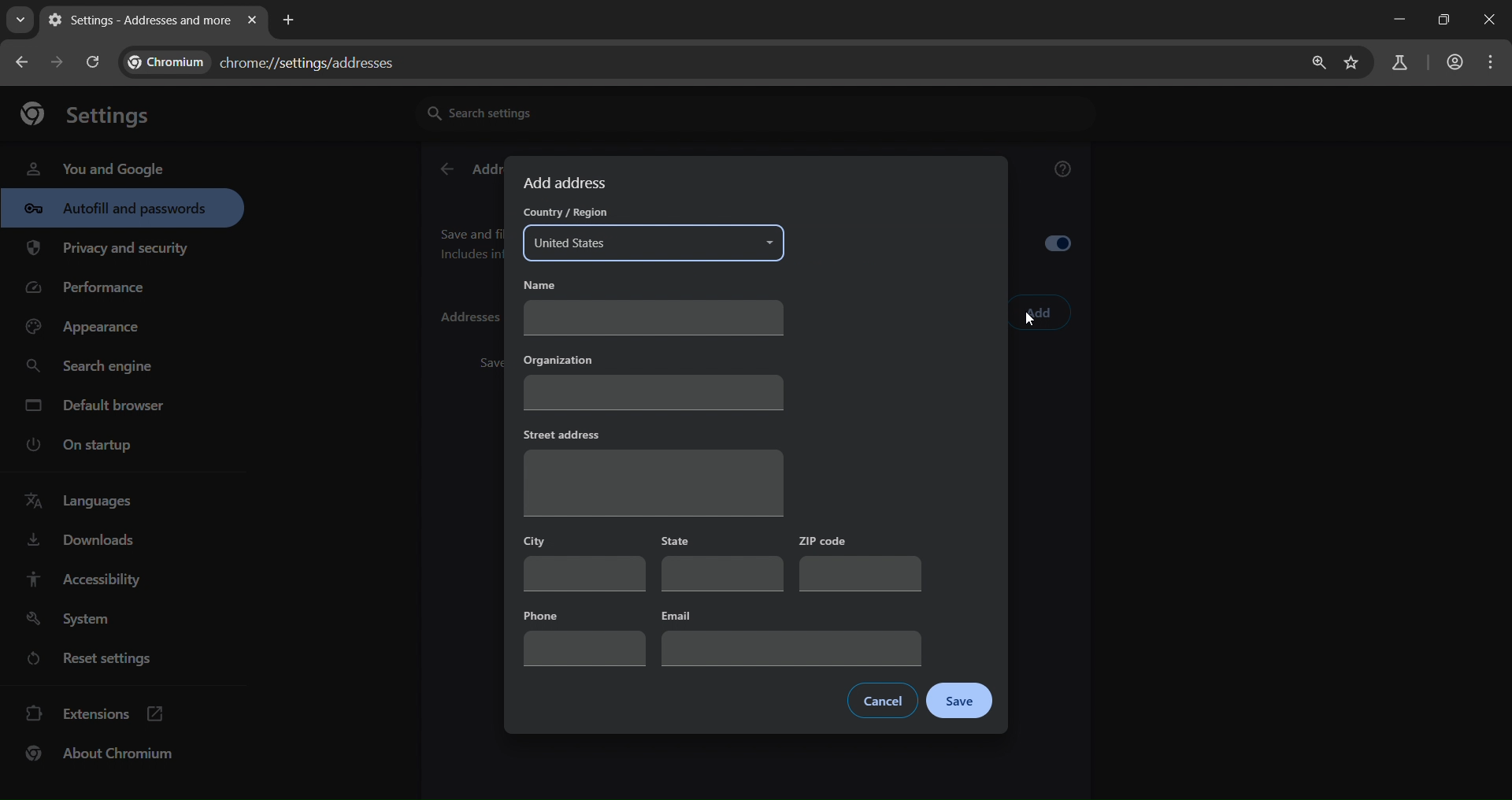 This screenshot has width=1512, height=800. Describe the element at coordinates (24, 61) in the screenshot. I see `go back one page` at that location.